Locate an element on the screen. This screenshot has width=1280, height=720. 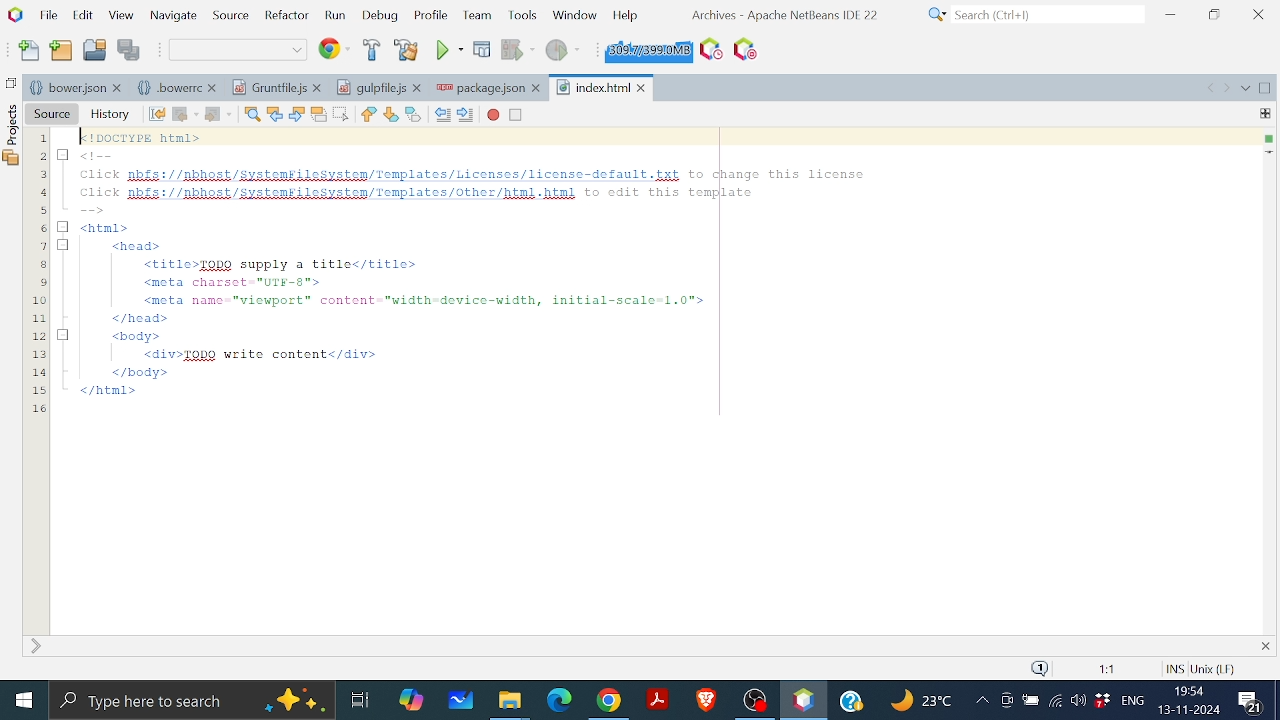
Profile is located at coordinates (429, 17).